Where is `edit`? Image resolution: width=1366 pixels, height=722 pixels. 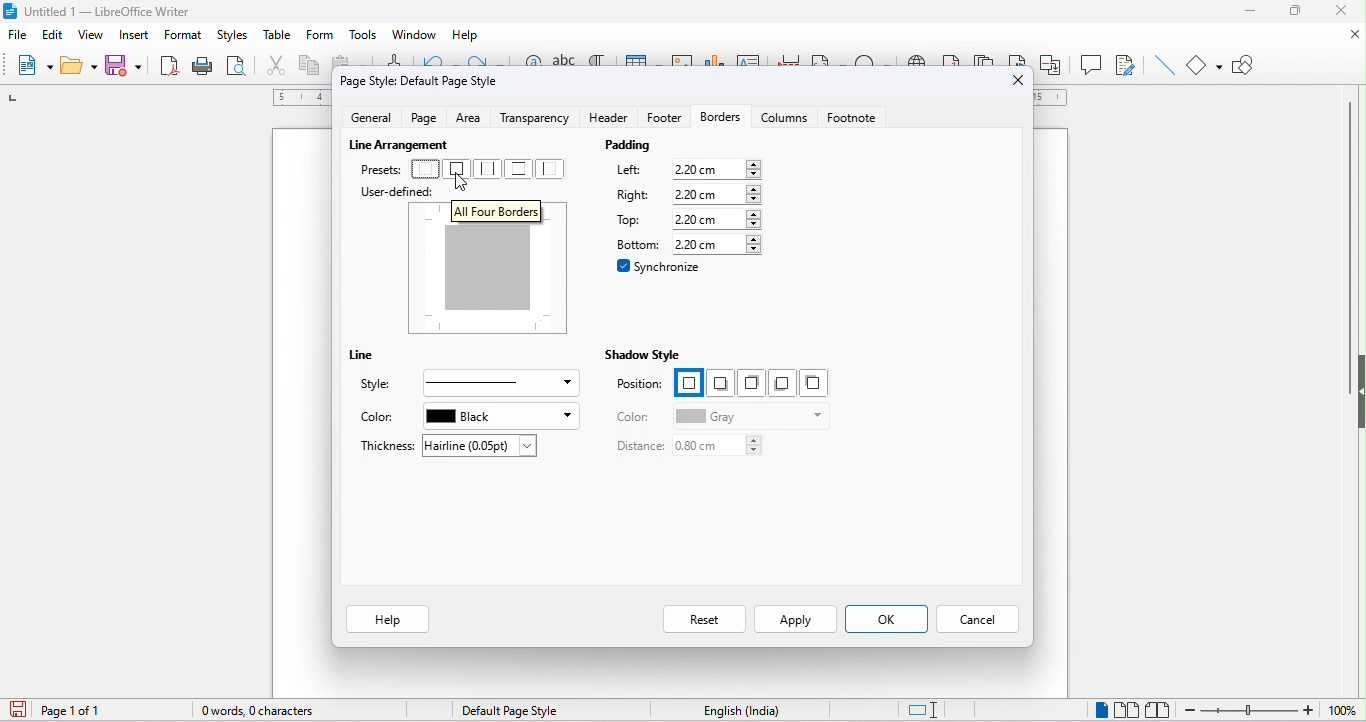 edit is located at coordinates (53, 34).